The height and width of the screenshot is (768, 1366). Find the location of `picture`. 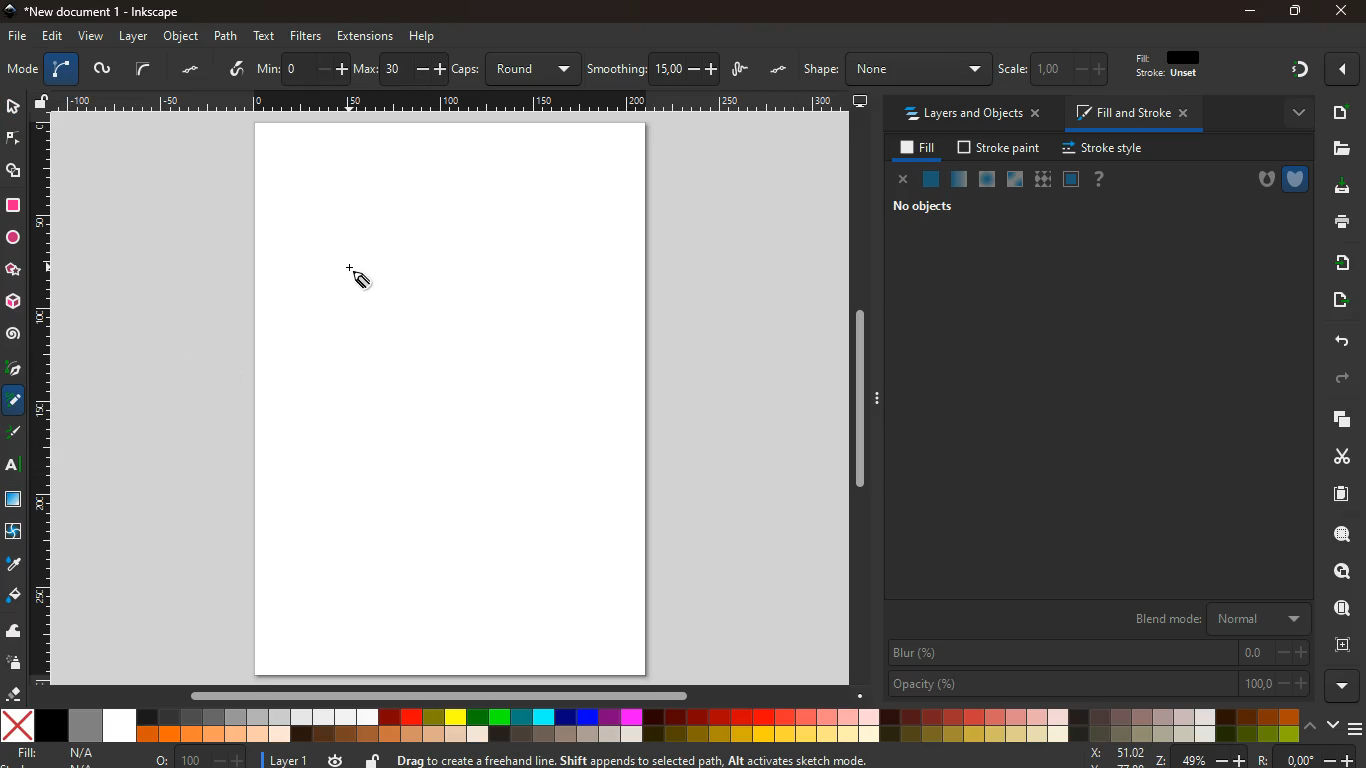

picture is located at coordinates (102, 69).